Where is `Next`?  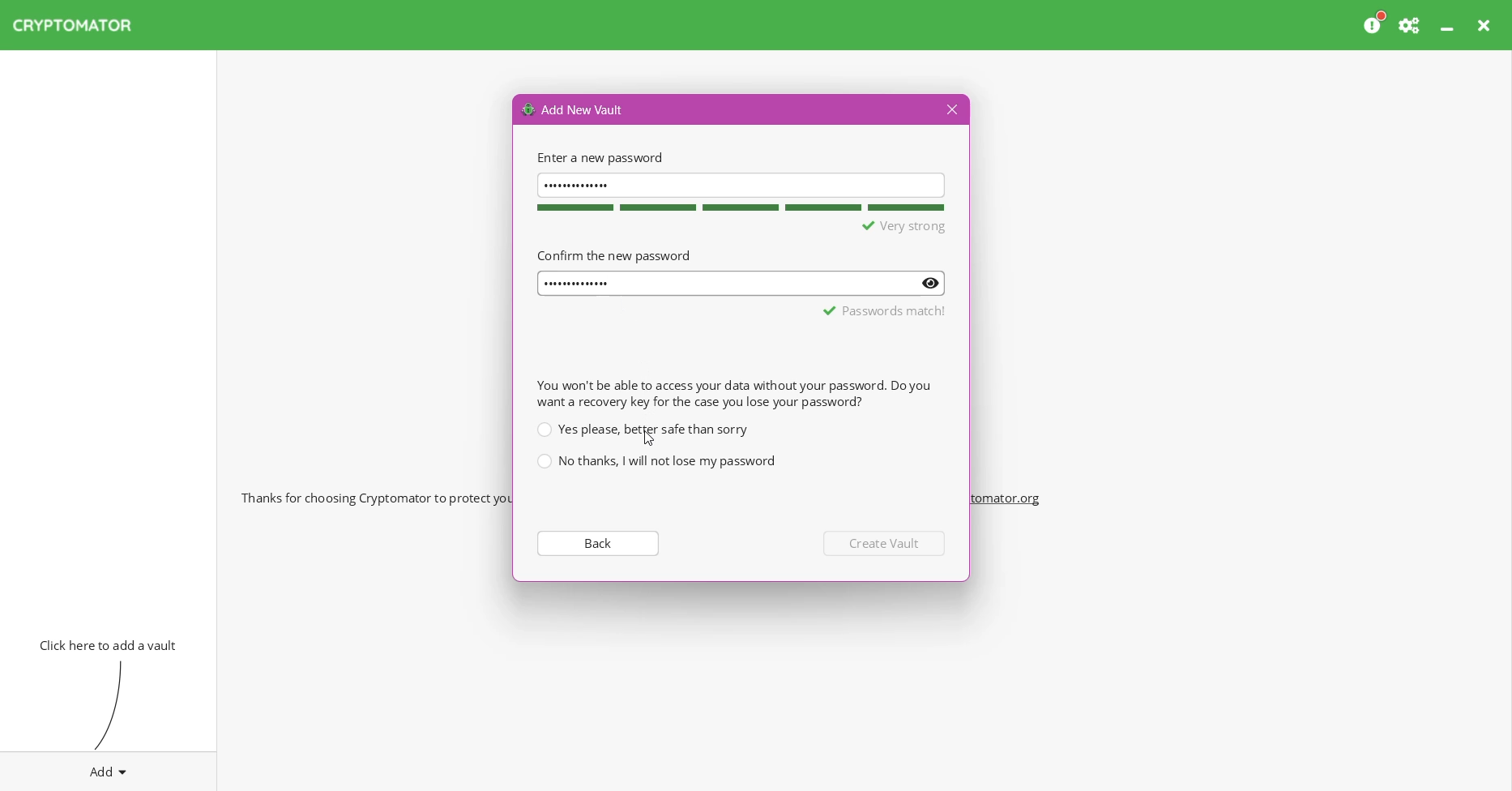 Next is located at coordinates (886, 543).